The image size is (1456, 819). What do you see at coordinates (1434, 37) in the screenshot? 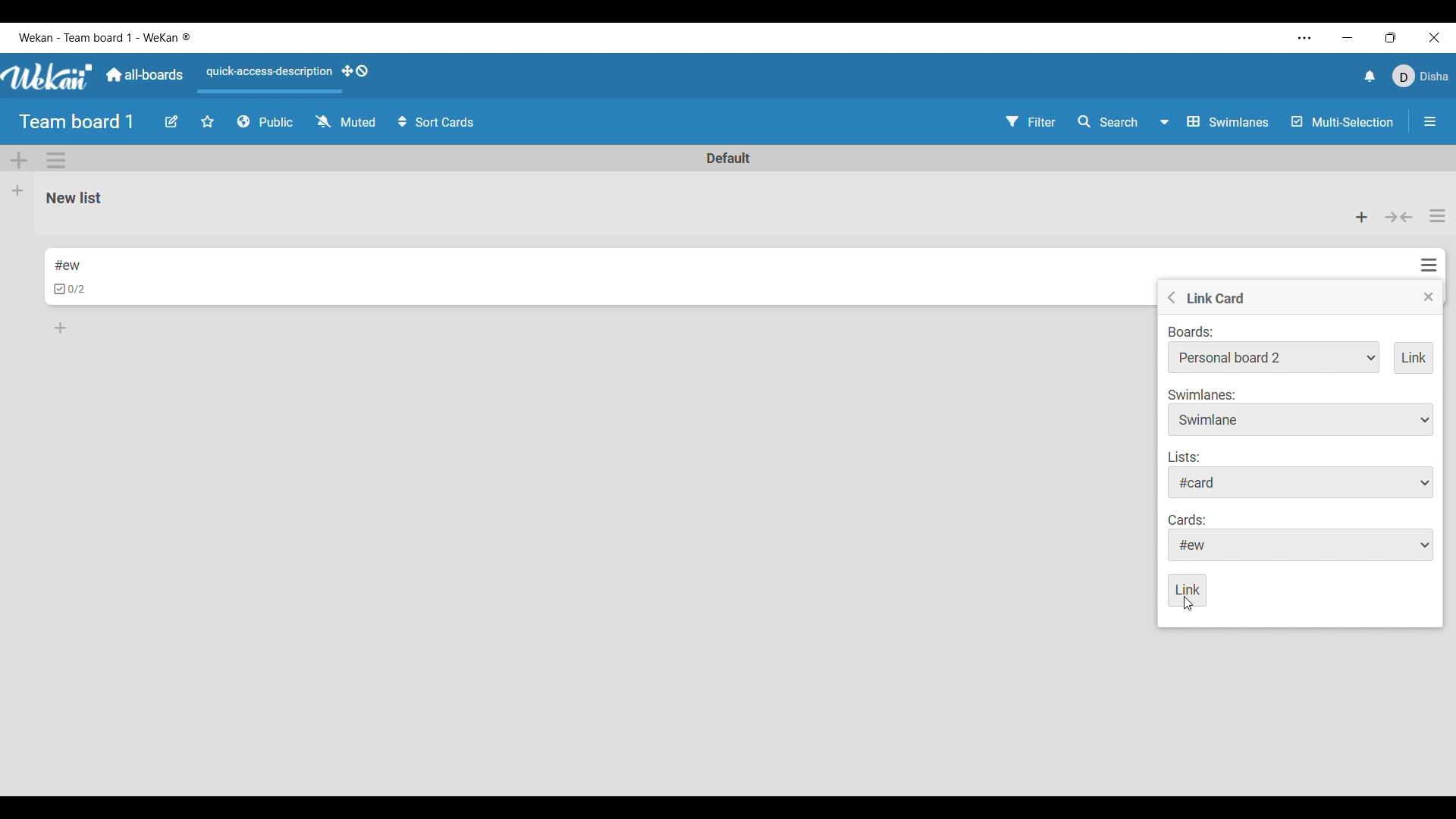
I see `Close interface` at bounding box center [1434, 37].